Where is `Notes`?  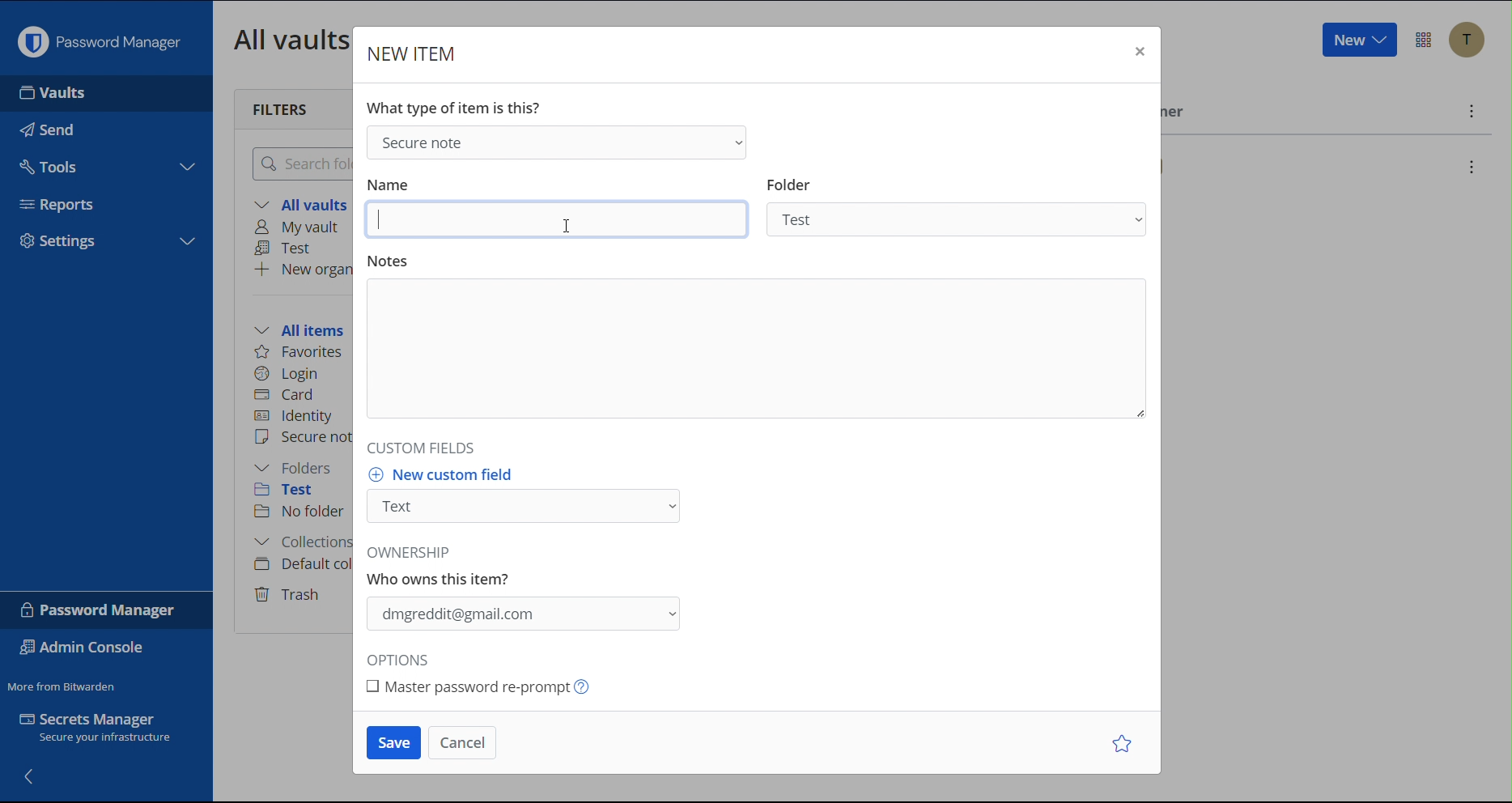
Notes is located at coordinates (754, 343).